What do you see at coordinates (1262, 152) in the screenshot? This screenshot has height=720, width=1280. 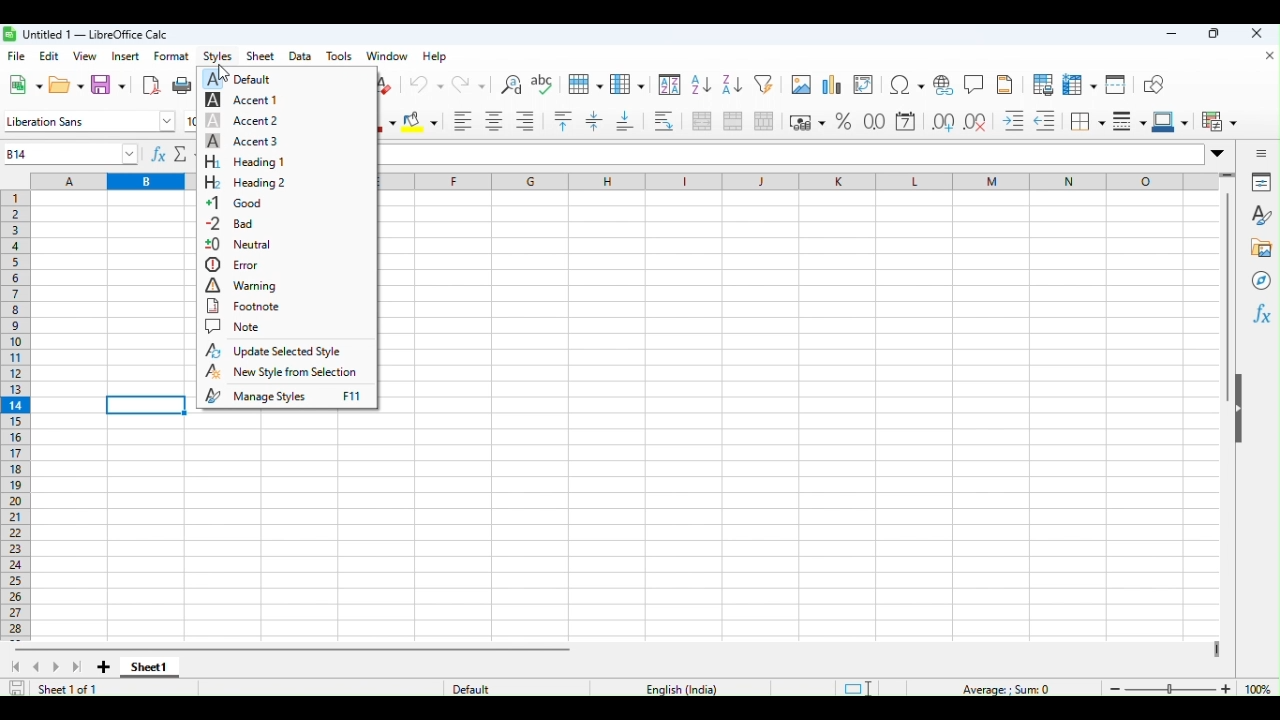 I see `Side bar settings` at bounding box center [1262, 152].